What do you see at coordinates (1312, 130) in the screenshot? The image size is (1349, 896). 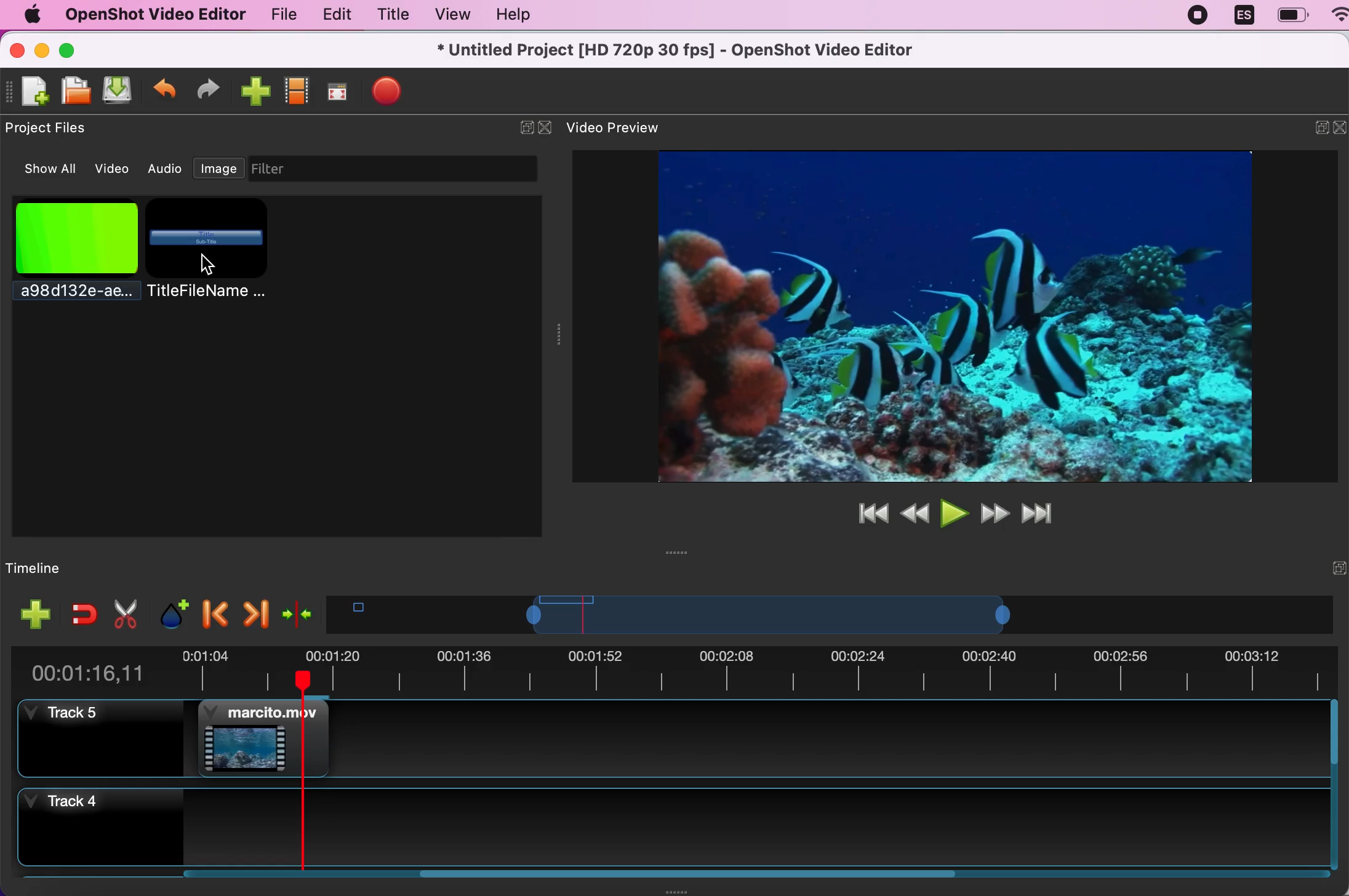 I see `minimize` at bounding box center [1312, 130].